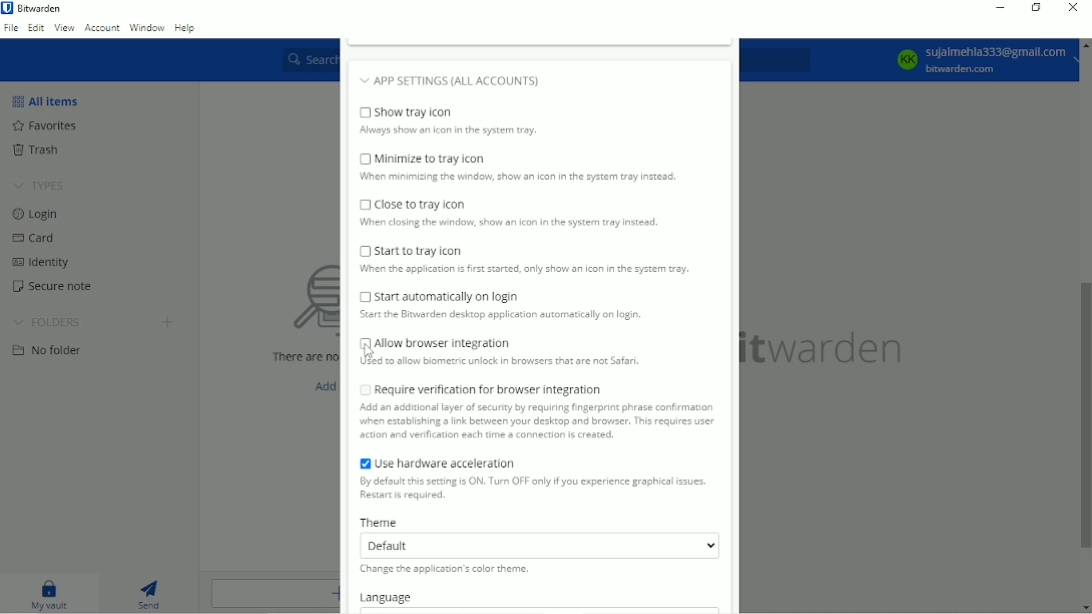 This screenshot has width=1092, height=614. What do you see at coordinates (524, 179) in the screenshot?
I see `When minimizing the window, show an icon in the system tray instead` at bounding box center [524, 179].